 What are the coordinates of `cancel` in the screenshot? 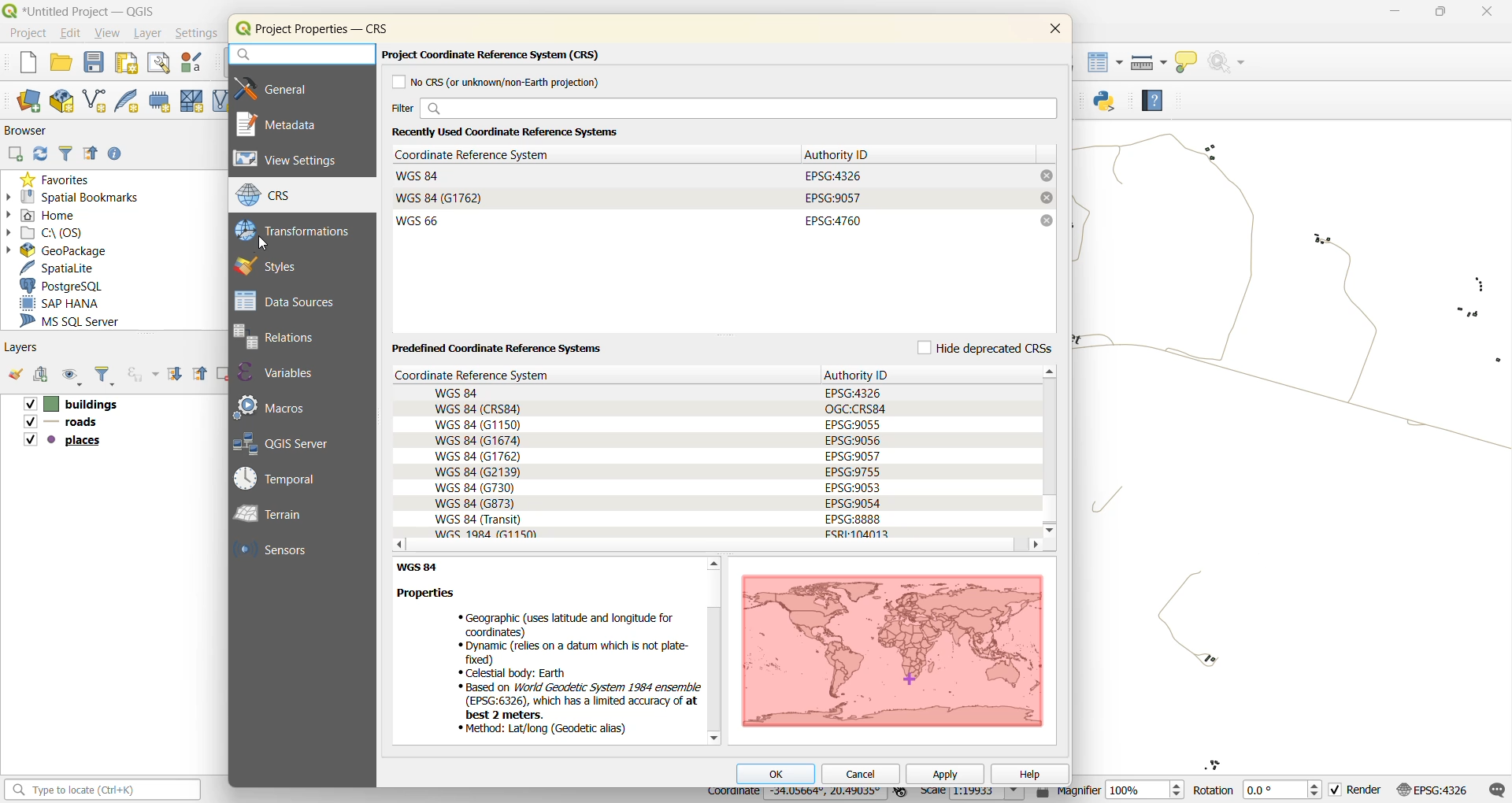 It's located at (860, 775).